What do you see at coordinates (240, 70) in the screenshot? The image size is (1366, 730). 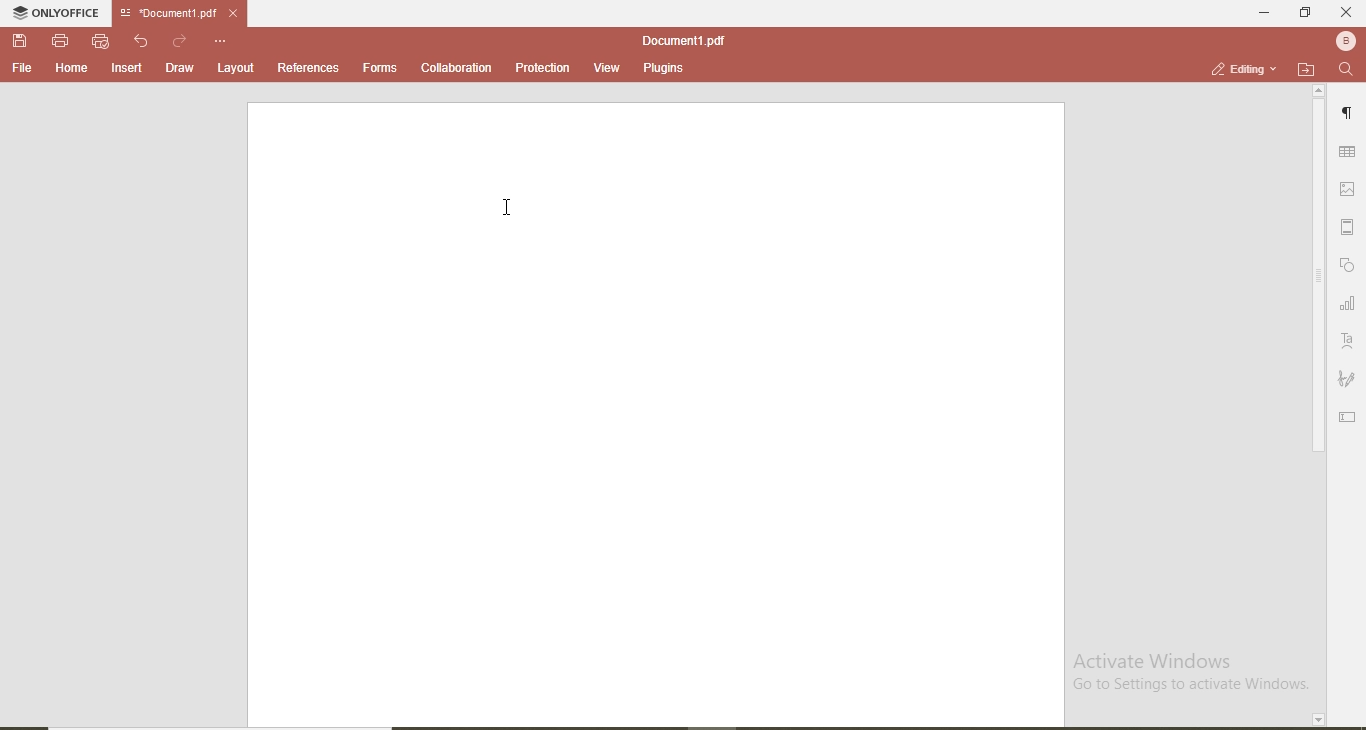 I see `layout` at bounding box center [240, 70].